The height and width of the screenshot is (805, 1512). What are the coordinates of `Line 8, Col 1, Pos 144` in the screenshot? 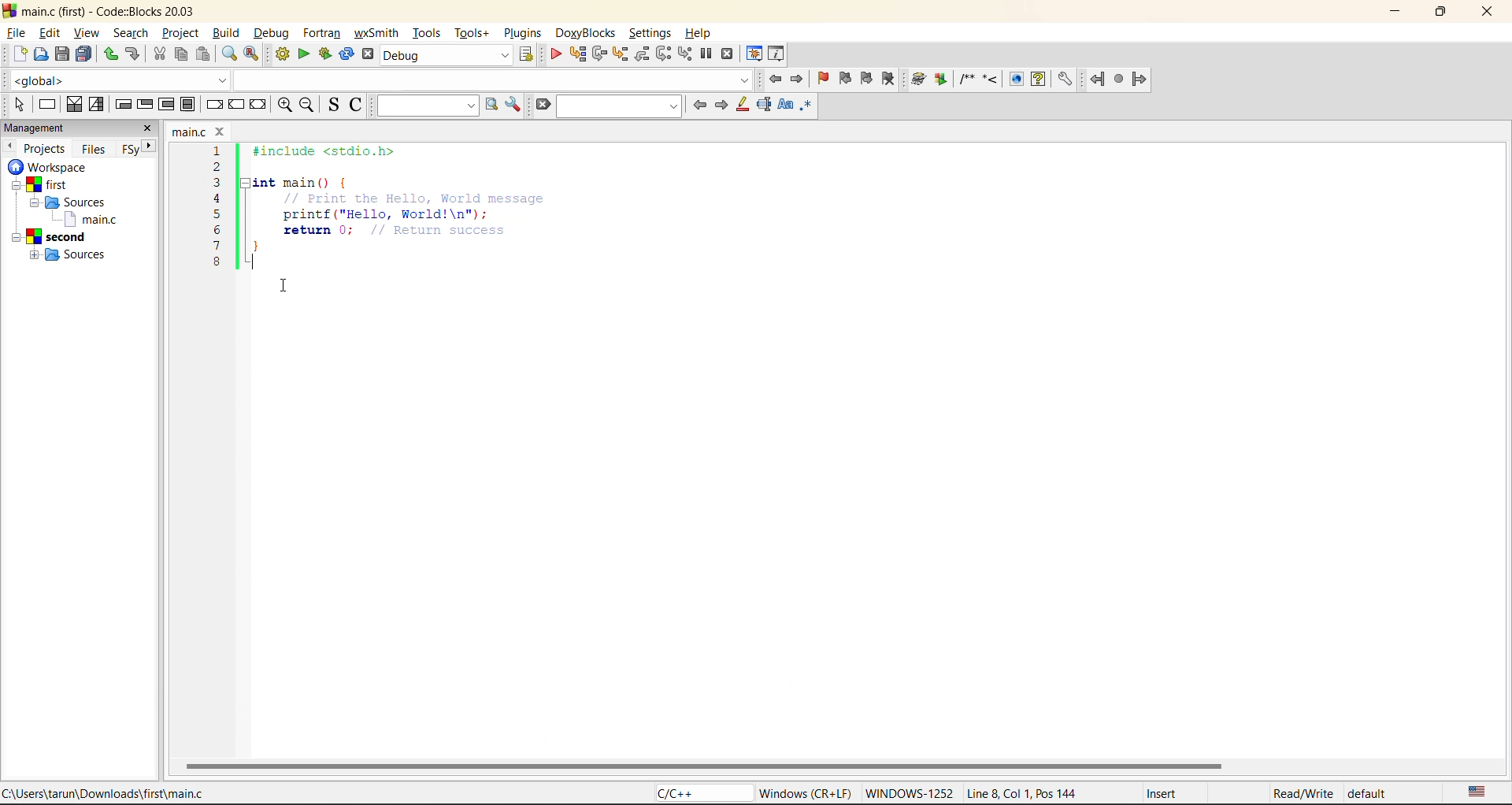 It's located at (1025, 793).